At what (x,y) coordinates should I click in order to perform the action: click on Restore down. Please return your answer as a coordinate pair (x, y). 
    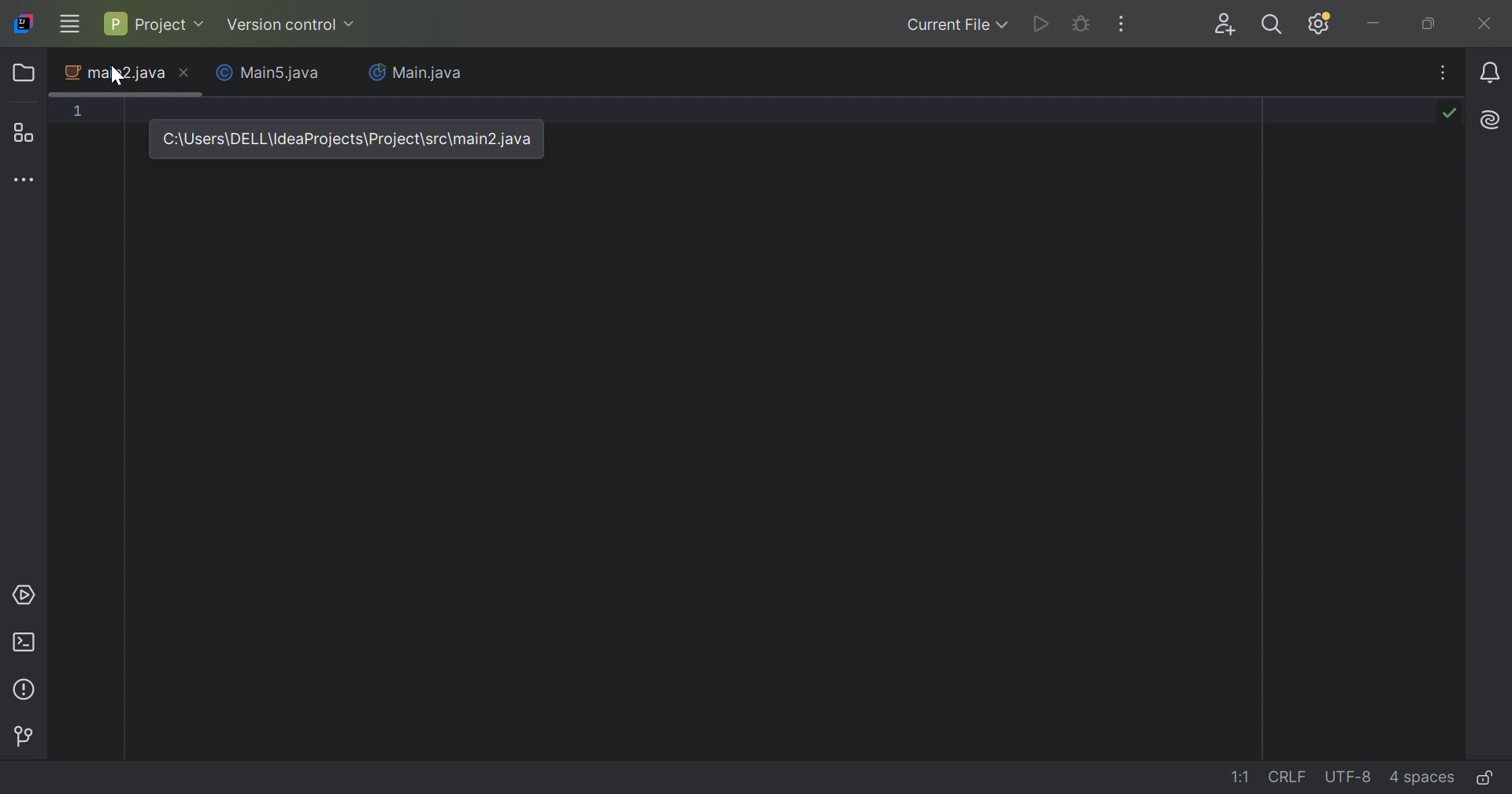
    Looking at the image, I should click on (1429, 24).